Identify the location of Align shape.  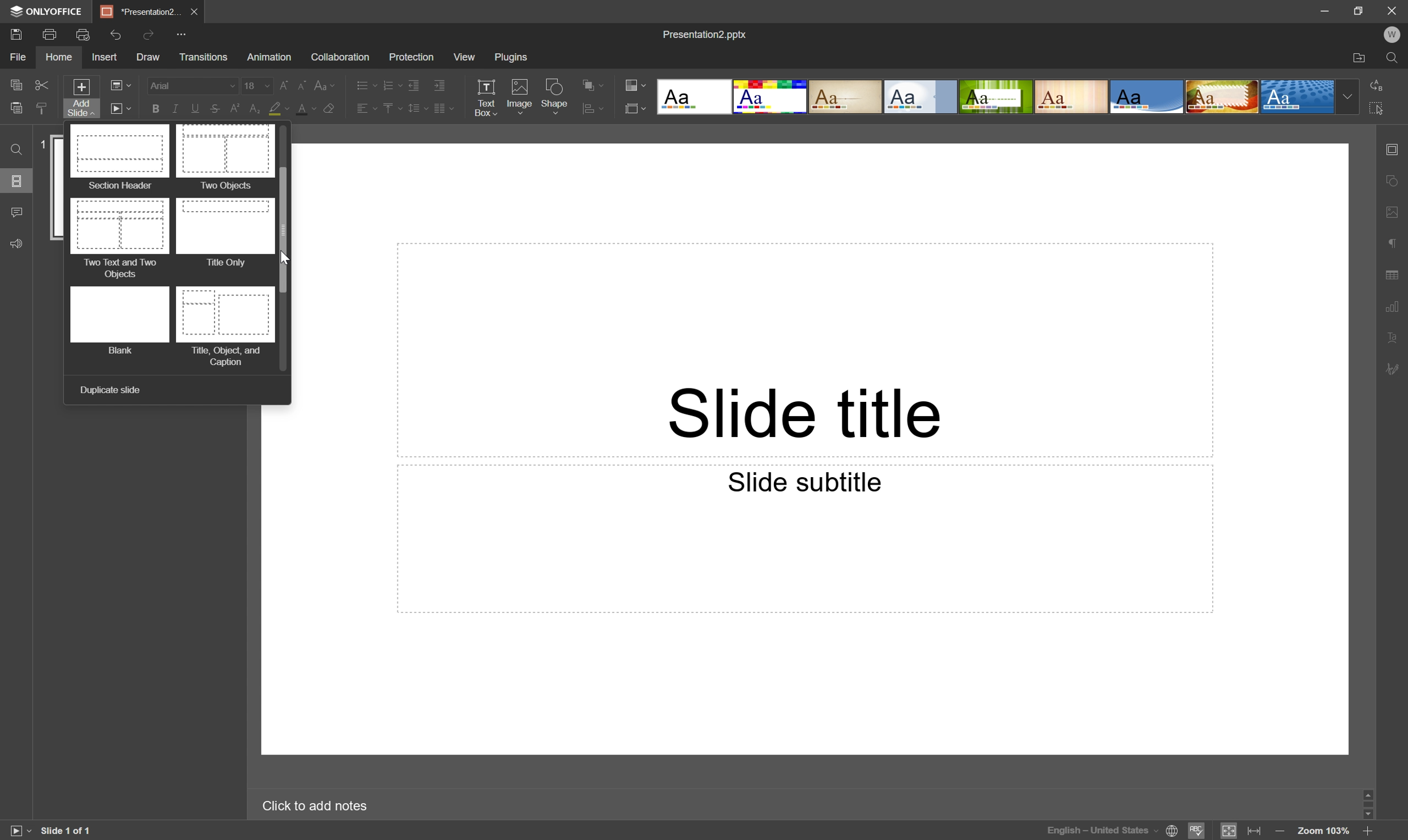
(595, 82).